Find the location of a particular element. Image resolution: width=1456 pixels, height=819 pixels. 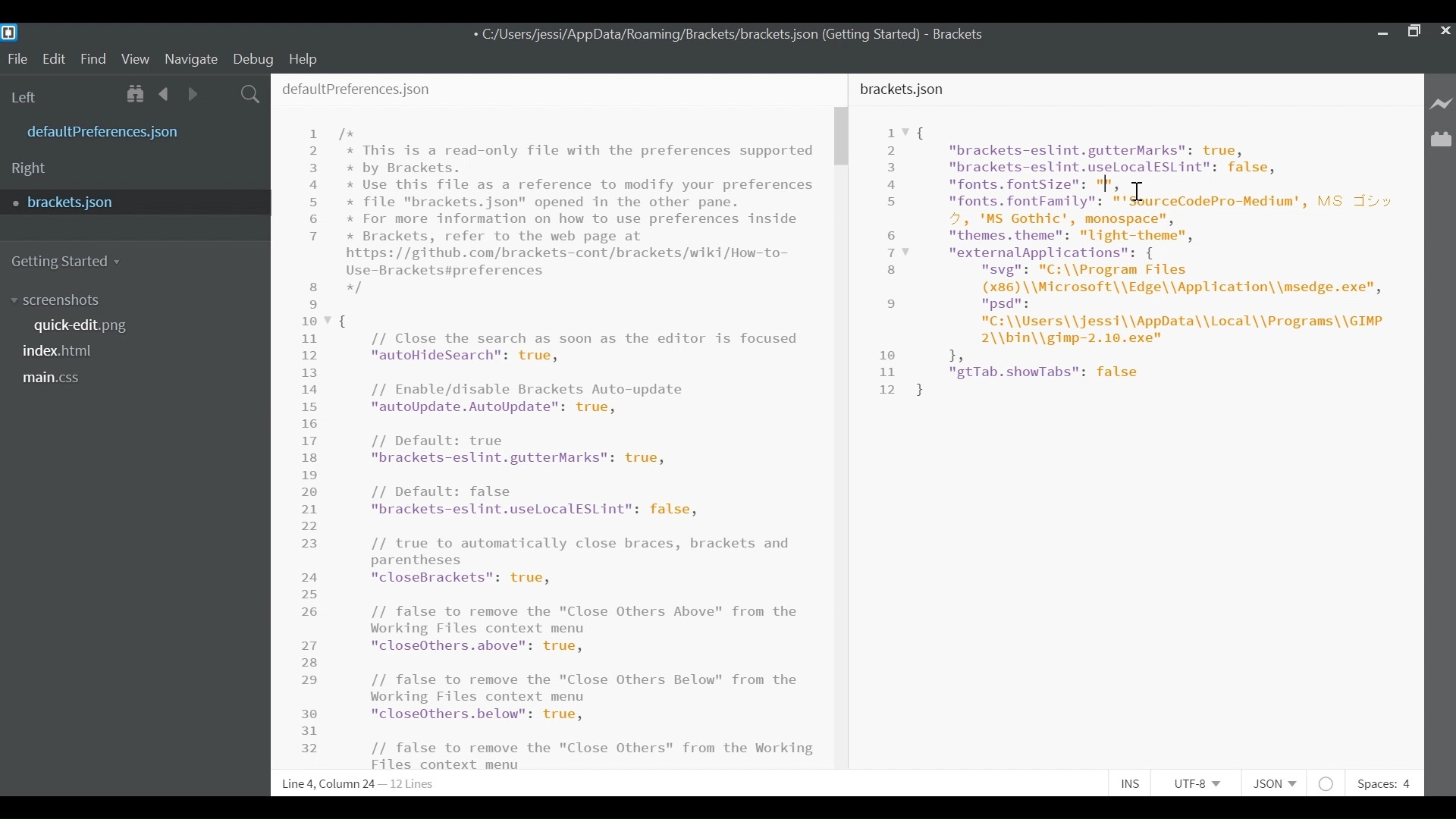

Navigate is located at coordinates (190, 60).